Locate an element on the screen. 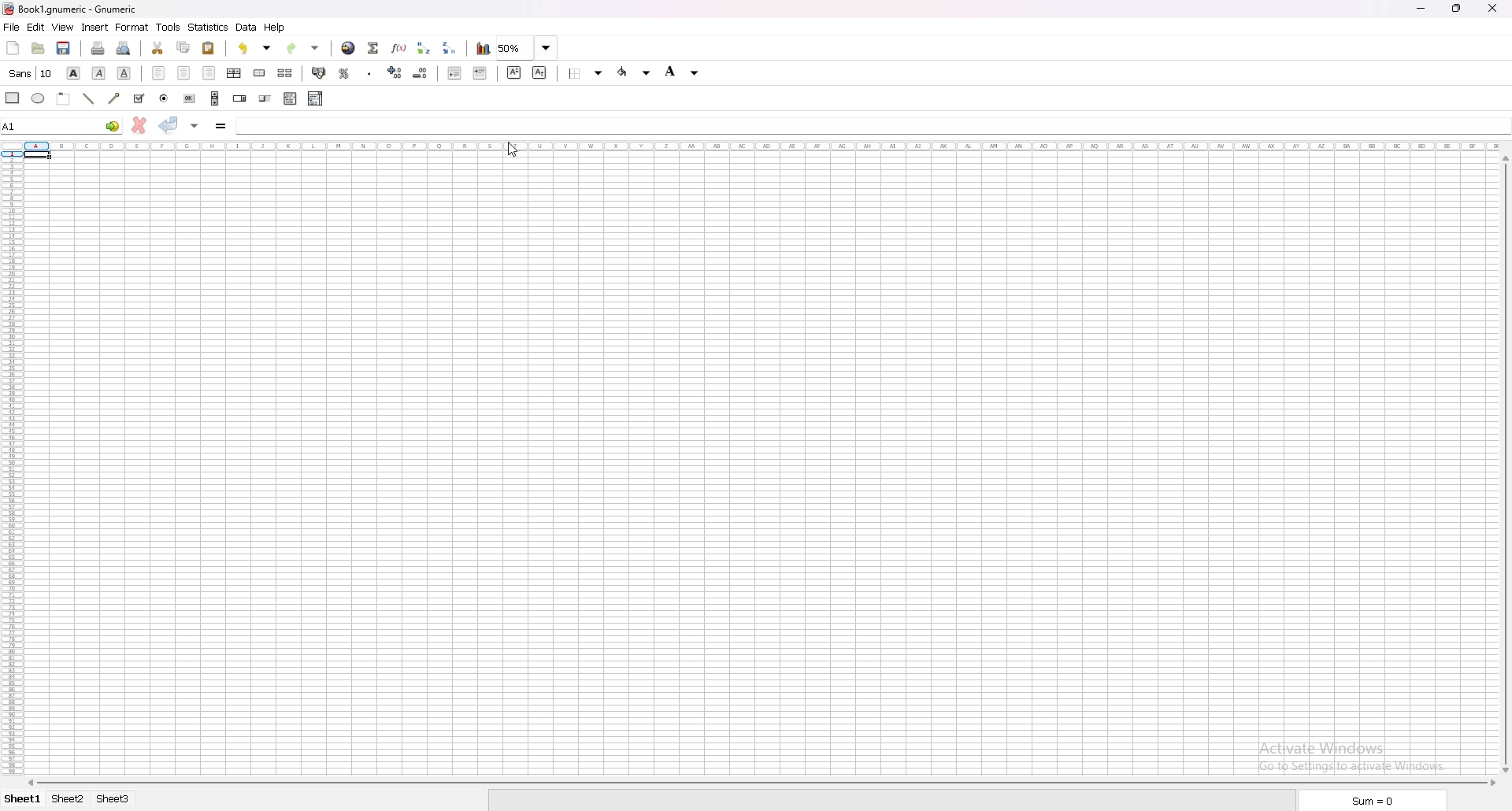 The image size is (1512, 811). spin button is located at coordinates (239, 98).